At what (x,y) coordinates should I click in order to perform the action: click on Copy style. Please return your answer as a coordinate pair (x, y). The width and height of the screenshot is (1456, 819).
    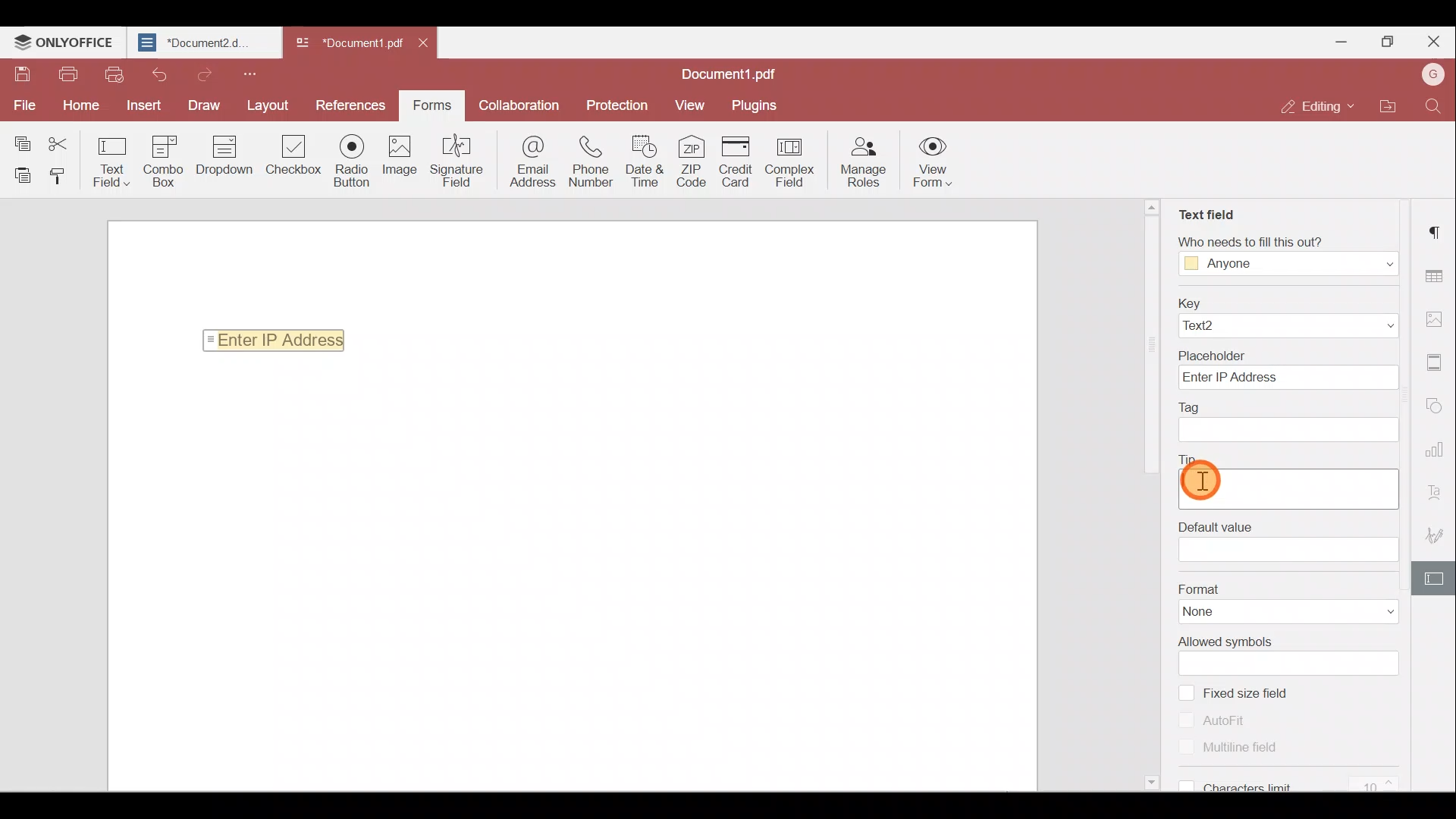
    Looking at the image, I should click on (59, 178).